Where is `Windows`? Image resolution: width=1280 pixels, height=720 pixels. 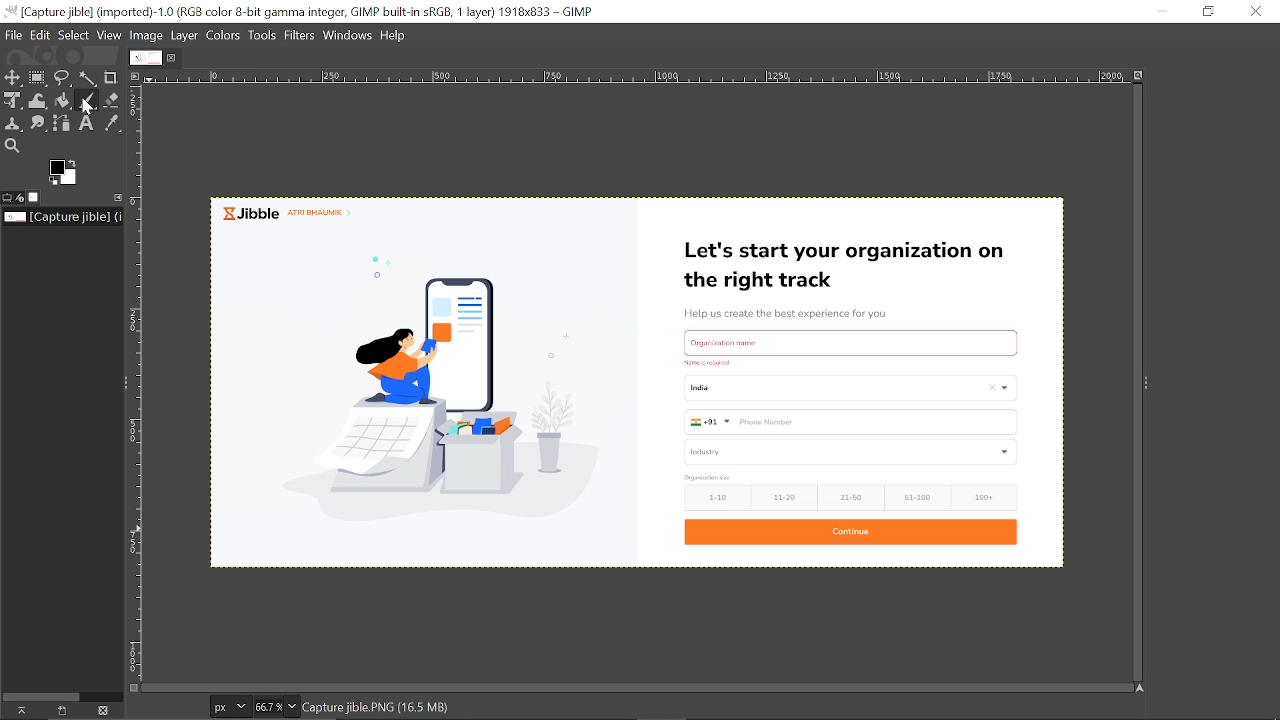 Windows is located at coordinates (349, 36).